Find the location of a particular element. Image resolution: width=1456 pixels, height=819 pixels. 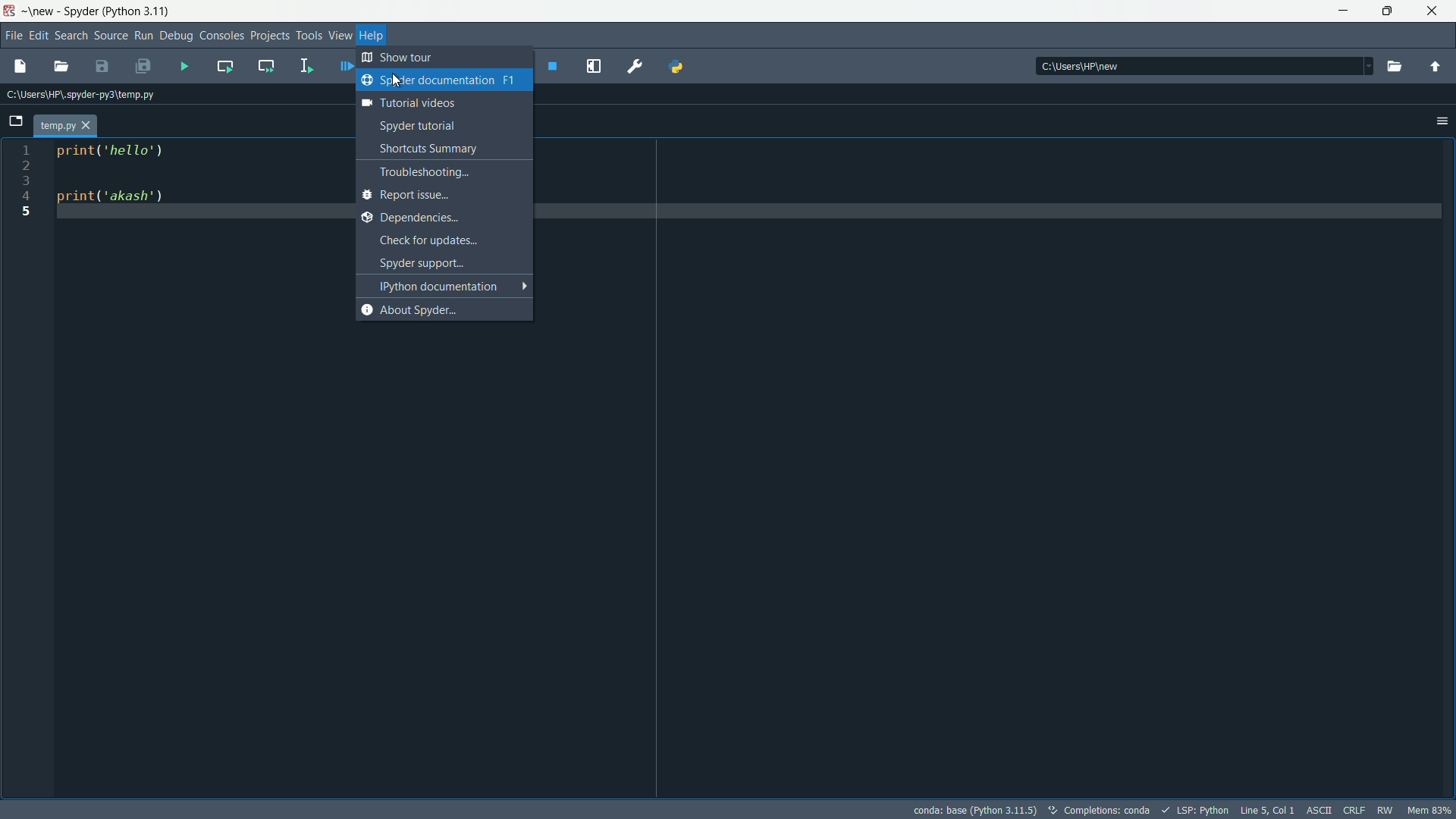

source menu is located at coordinates (110, 36).